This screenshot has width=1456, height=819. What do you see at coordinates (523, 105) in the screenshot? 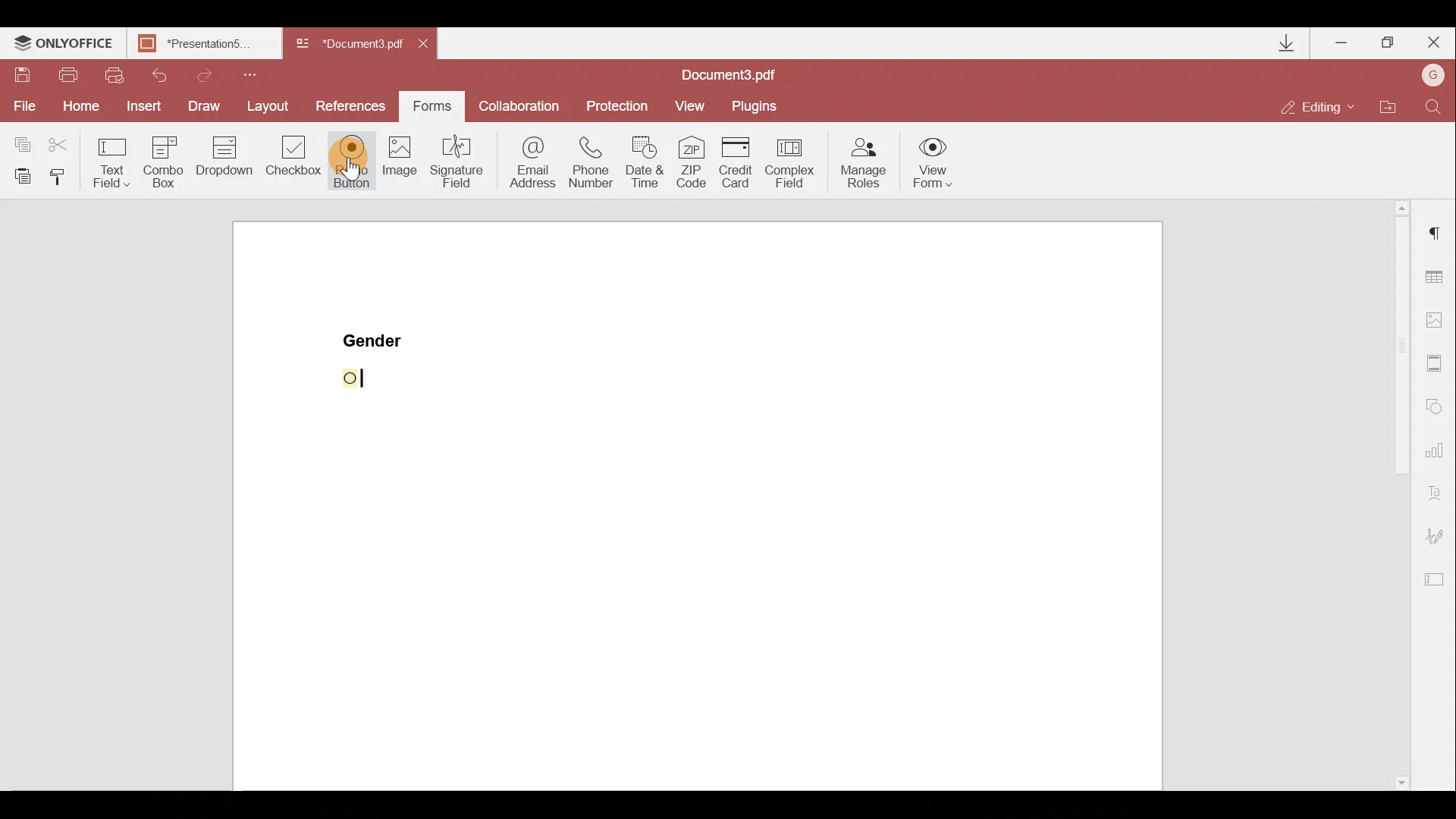
I see `Collaboration` at bounding box center [523, 105].